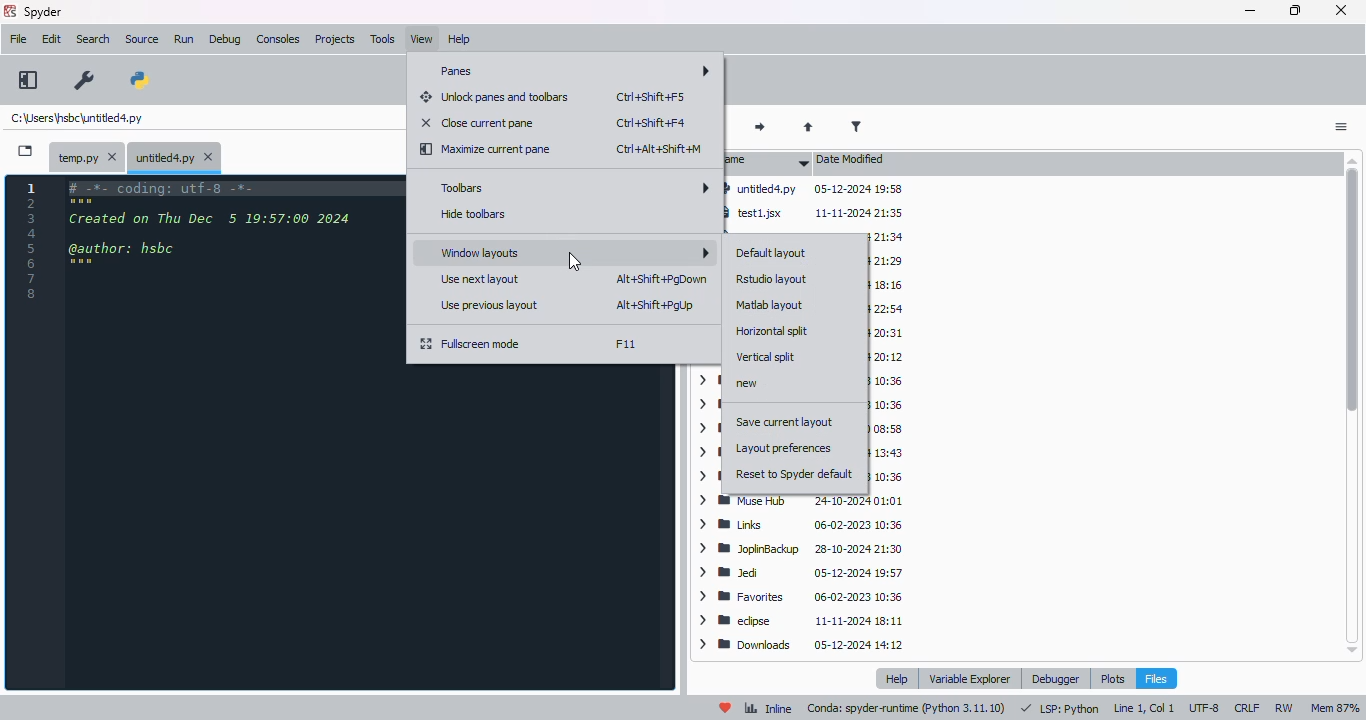  What do you see at coordinates (890, 284) in the screenshot?
I see `Zotero` at bounding box center [890, 284].